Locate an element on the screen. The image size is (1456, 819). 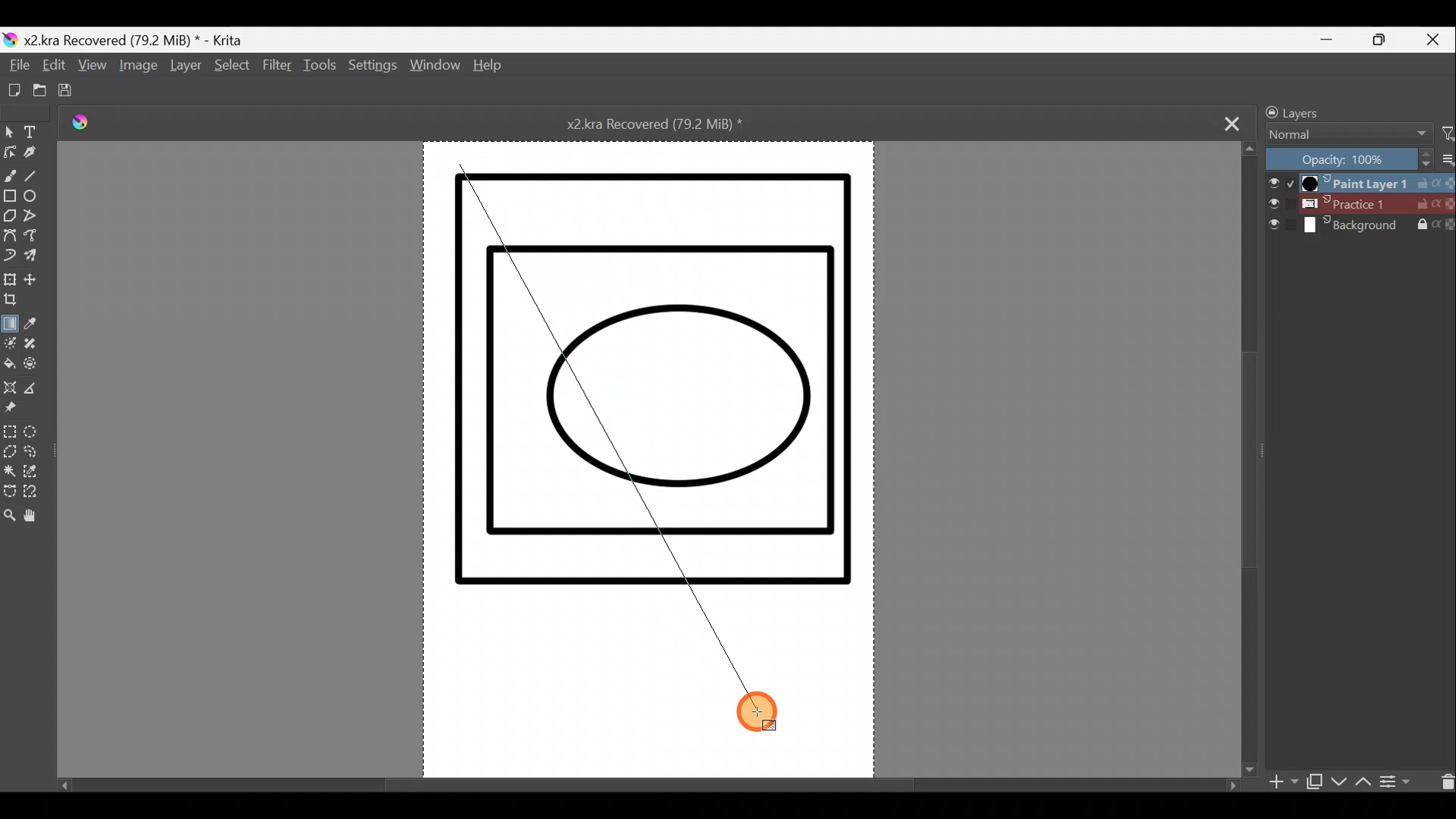
Polgonal selection tool is located at coordinates (9, 453).